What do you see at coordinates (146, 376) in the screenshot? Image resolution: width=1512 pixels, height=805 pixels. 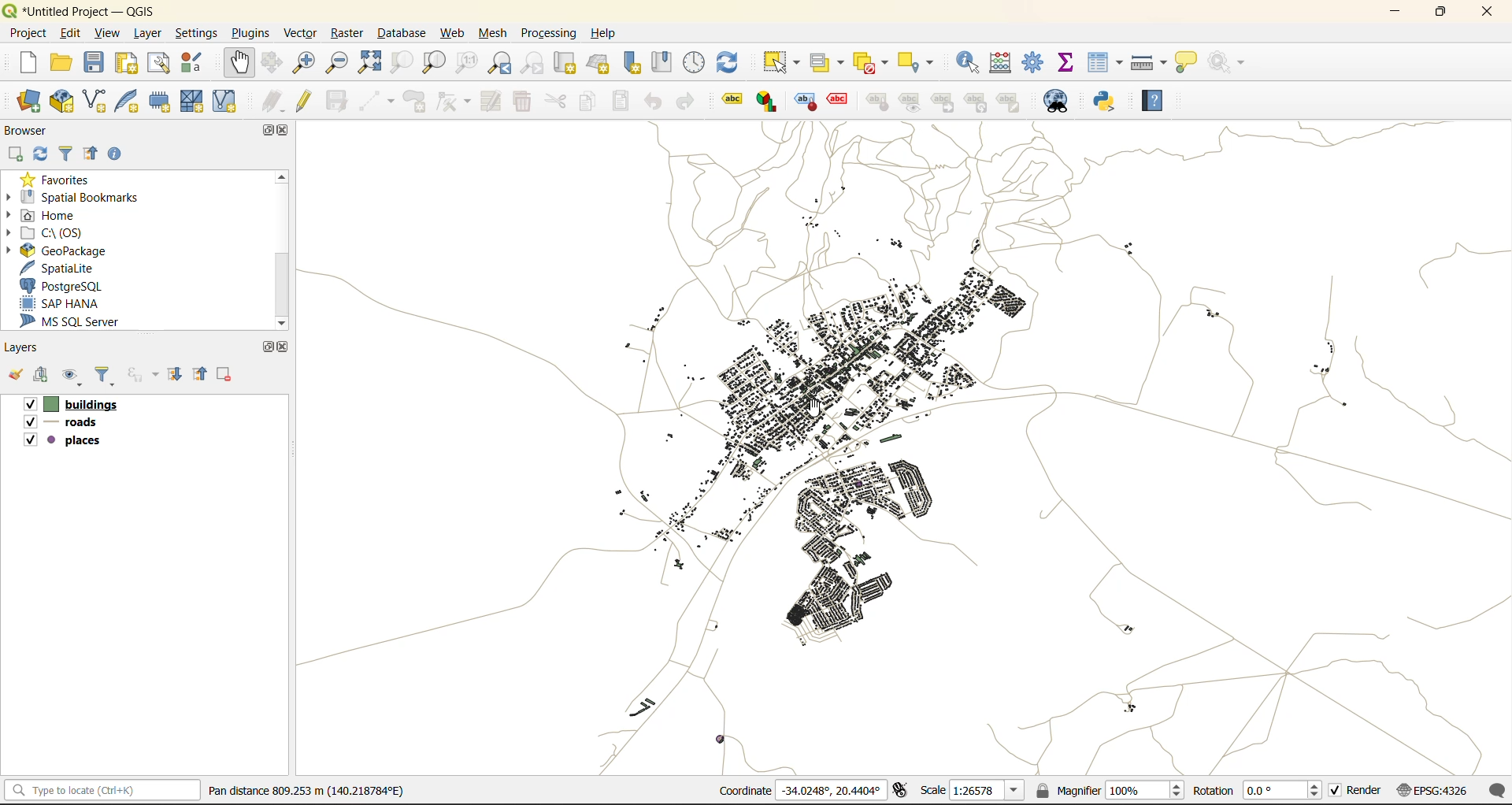 I see `filter by expression` at bounding box center [146, 376].